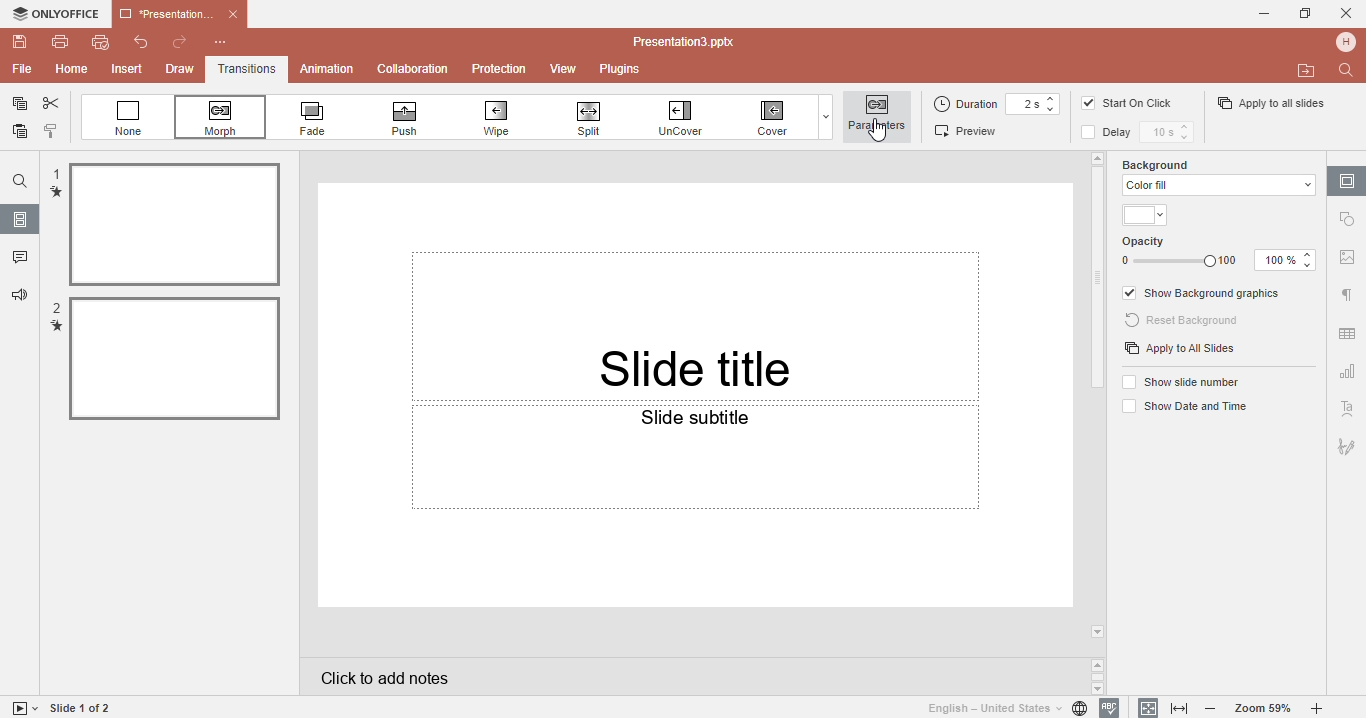 The height and width of the screenshot is (718, 1366). I want to click on Slide subtittle, so click(695, 505).